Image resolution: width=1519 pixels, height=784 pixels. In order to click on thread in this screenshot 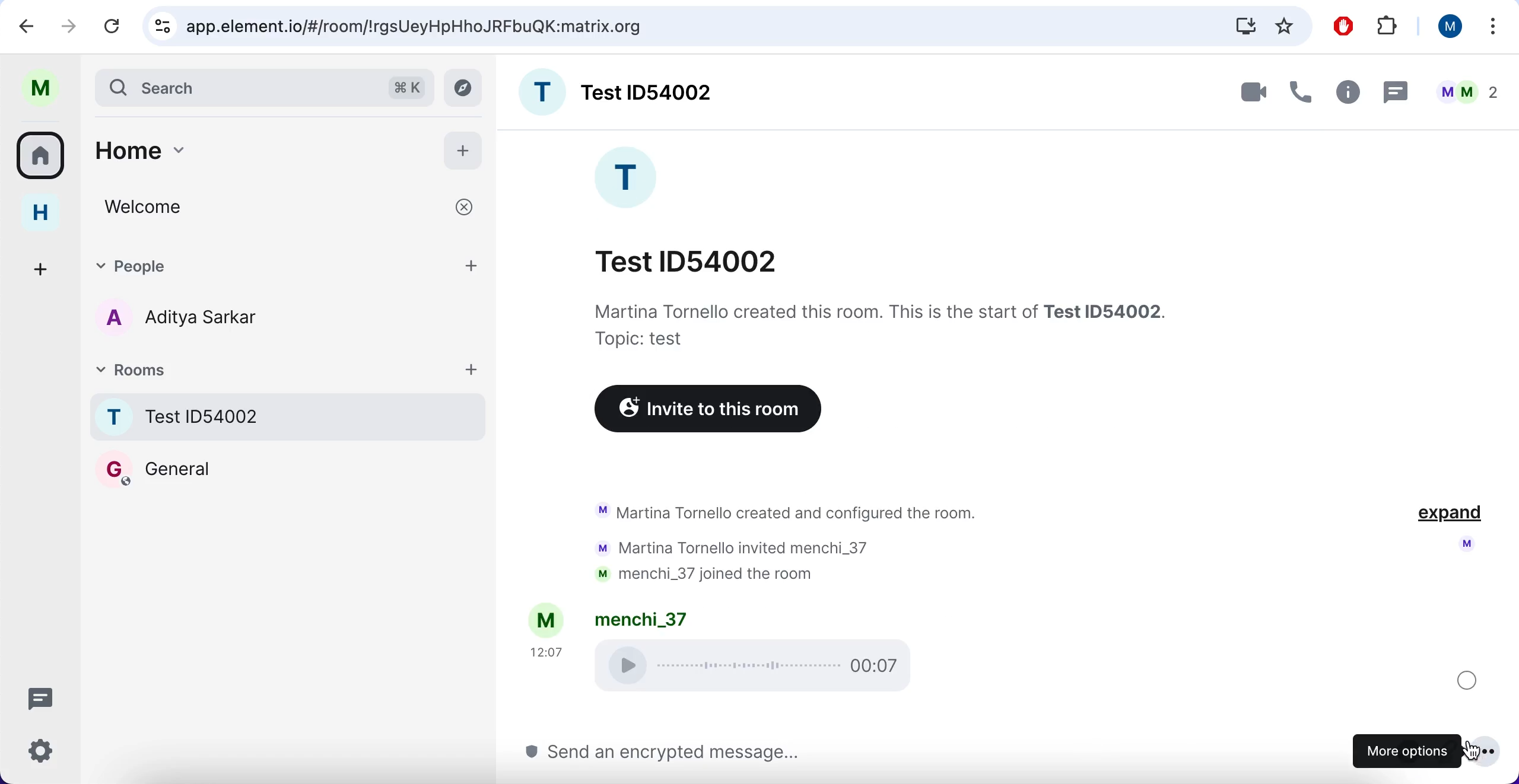, I will do `click(1397, 90)`.